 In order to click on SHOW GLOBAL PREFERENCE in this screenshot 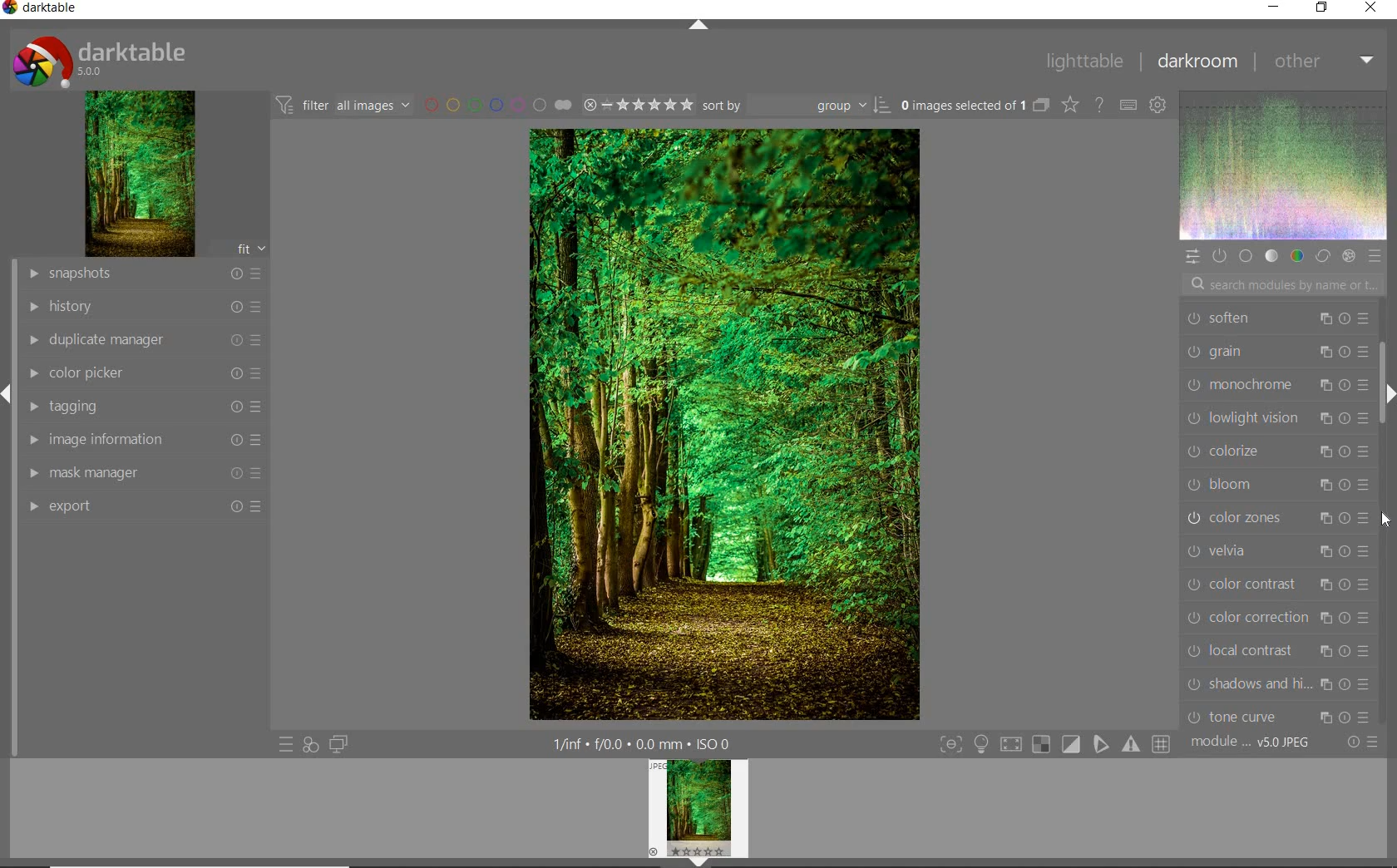, I will do `click(1159, 104)`.